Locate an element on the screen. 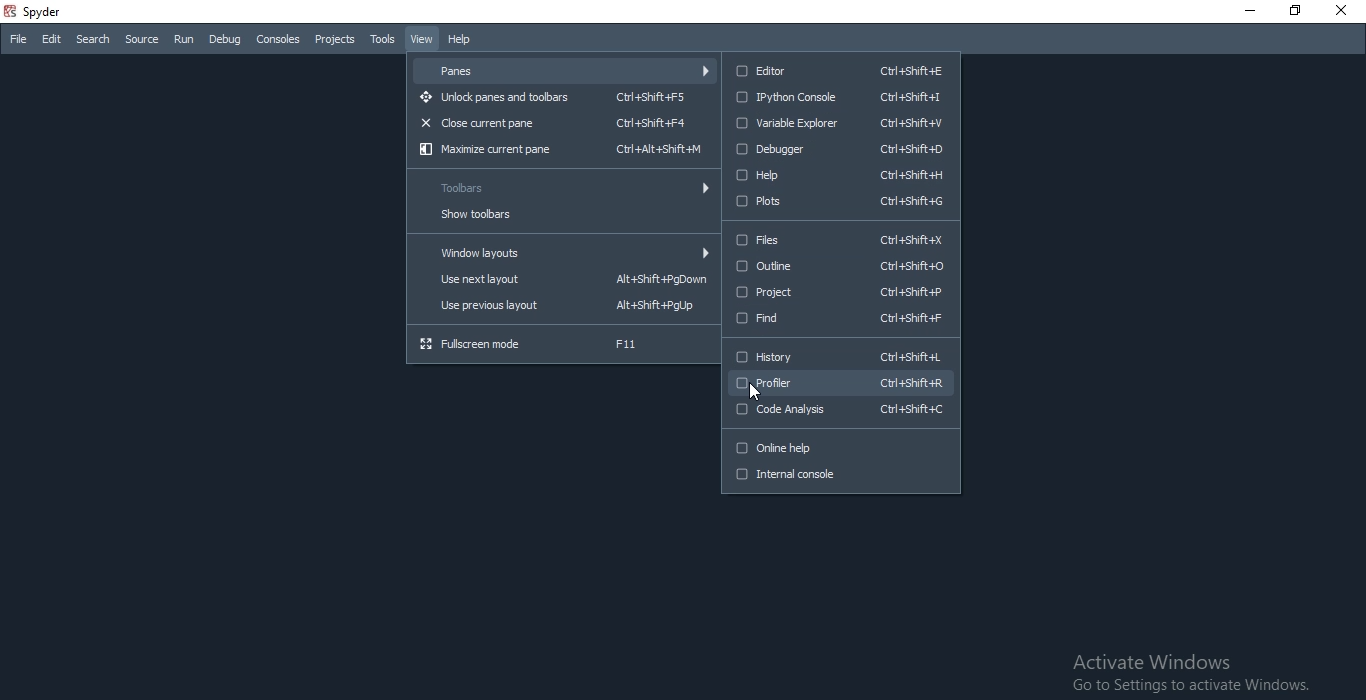 The width and height of the screenshot is (1366, 700). Activate Windows
Go to Settings to activate Windows. is located at coordinates (1195, 672).